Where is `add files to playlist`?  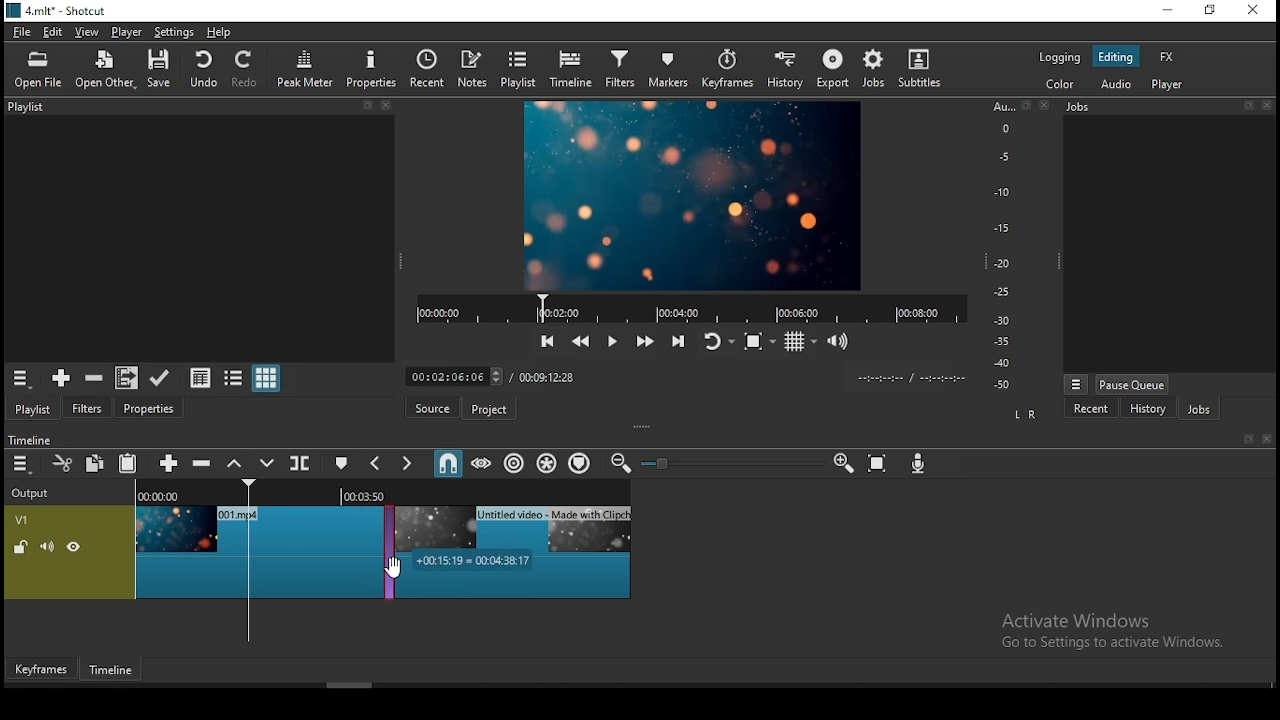
add files to playlist is located at coordinates (123, 378).